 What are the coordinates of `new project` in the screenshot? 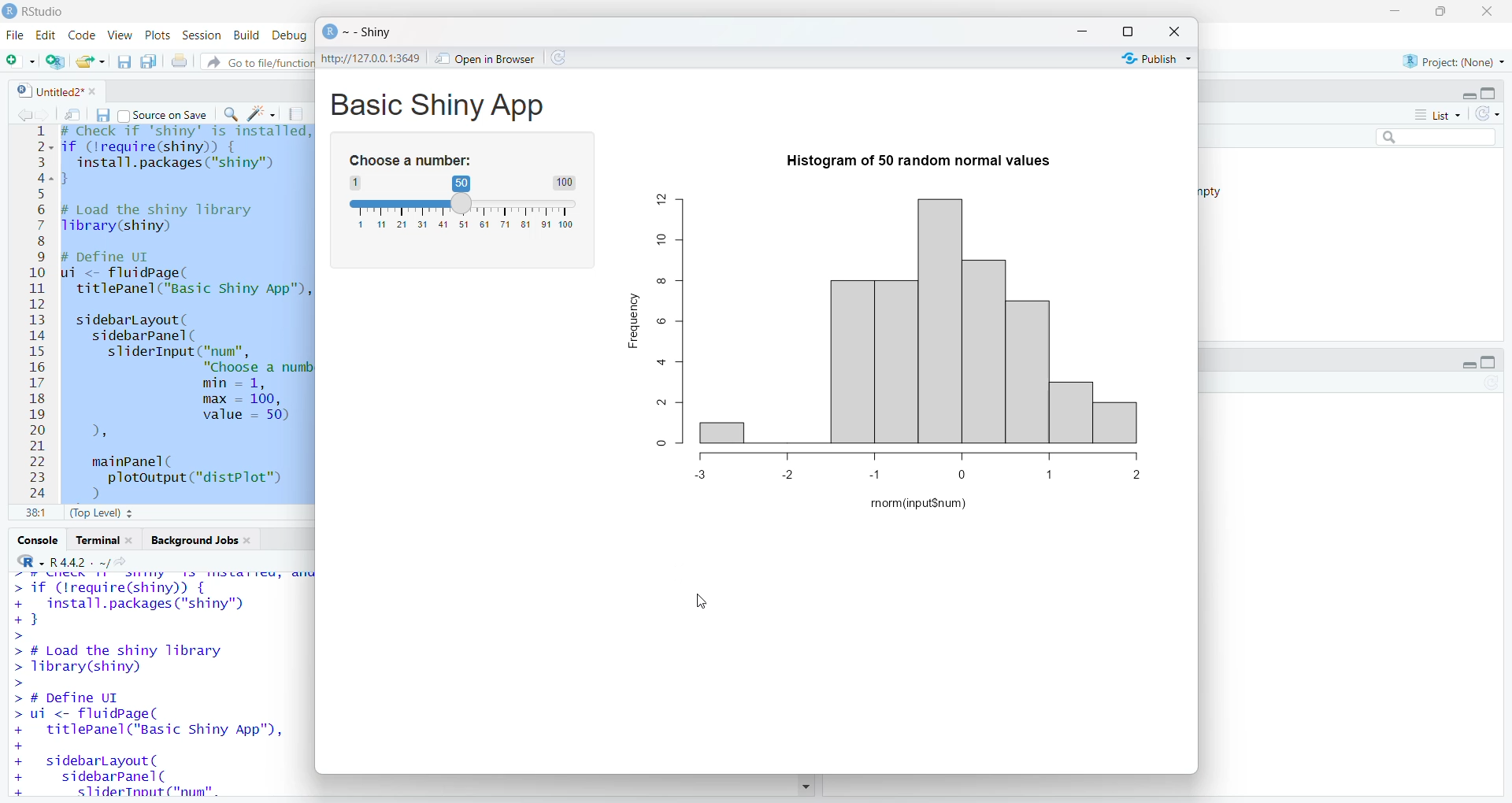 It's located at (55, 61).